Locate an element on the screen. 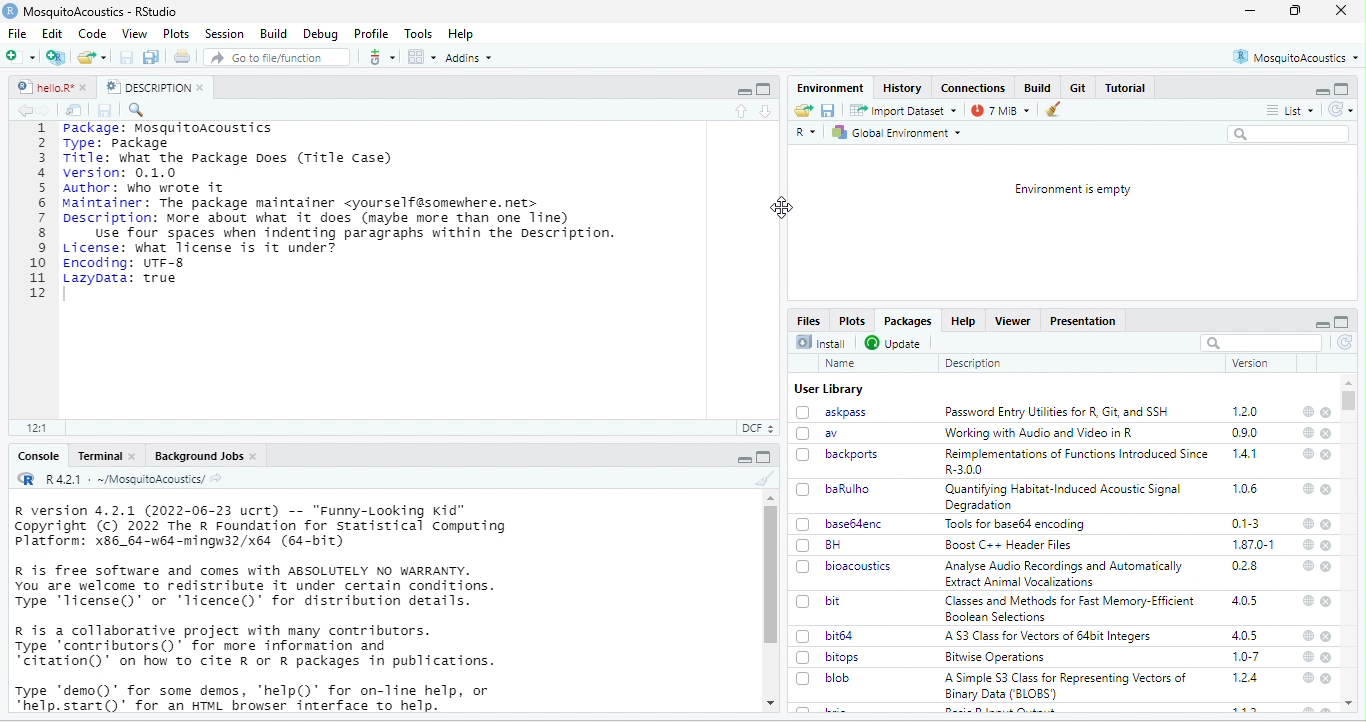  Bitwise Operations is located at coordinates (993, 658).